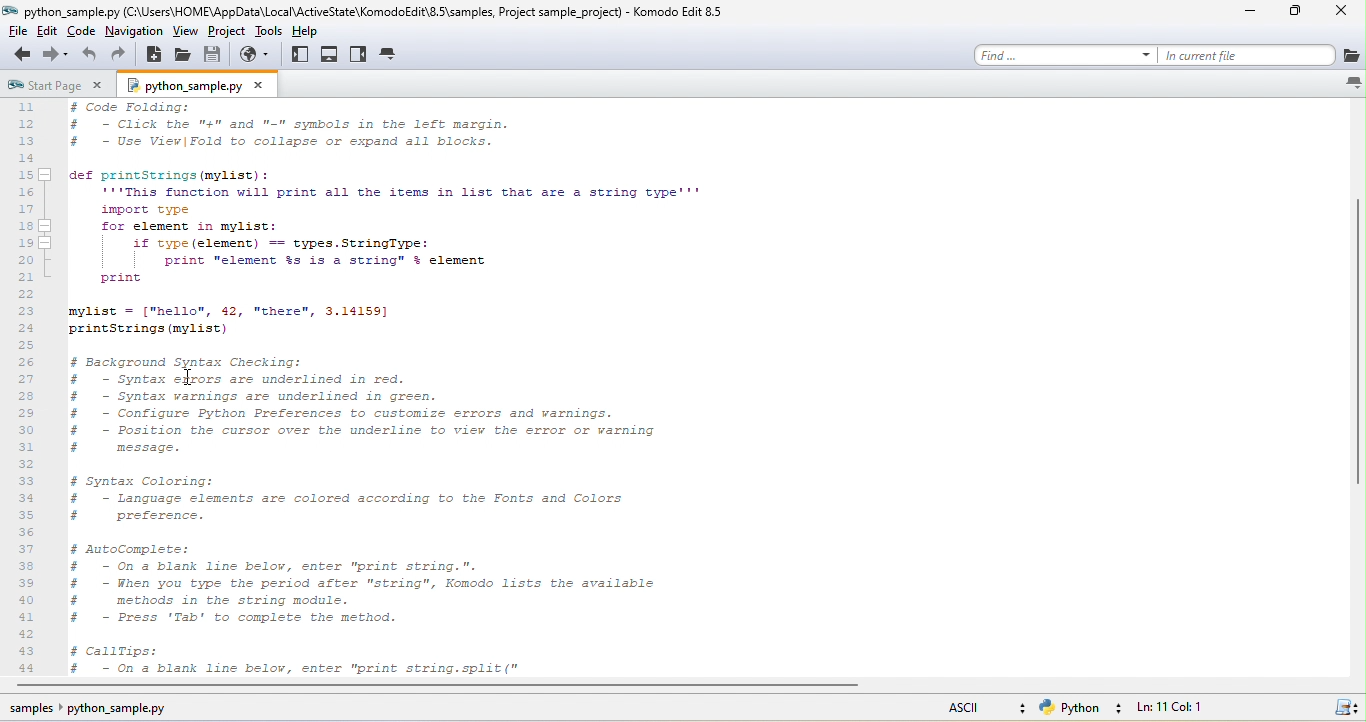 The height and width of the screenshot is (722, 1366). I want to click on find, so click(1068, 53).